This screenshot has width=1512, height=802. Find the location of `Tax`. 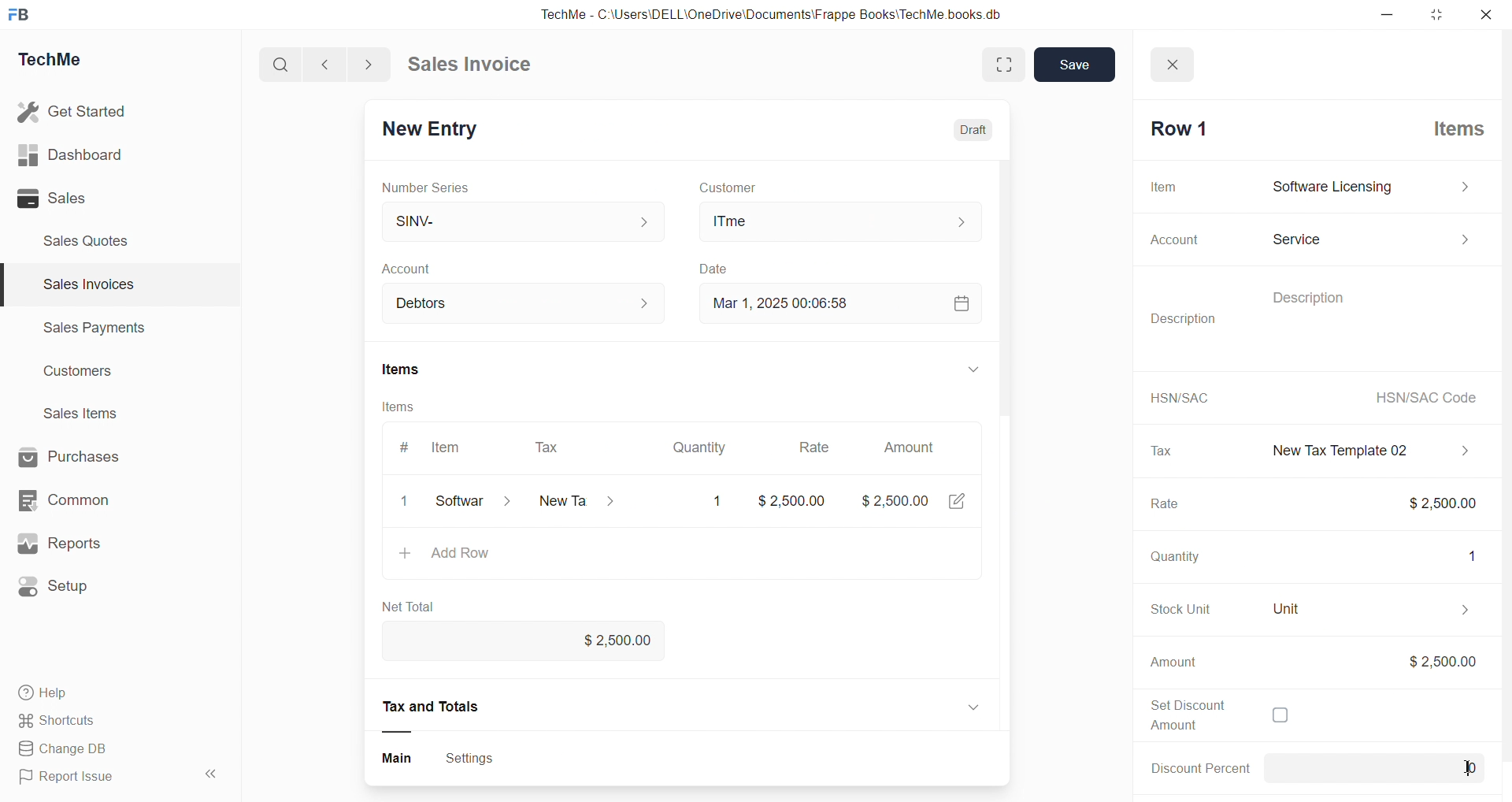

Tax is located at coordinates (549, 444).